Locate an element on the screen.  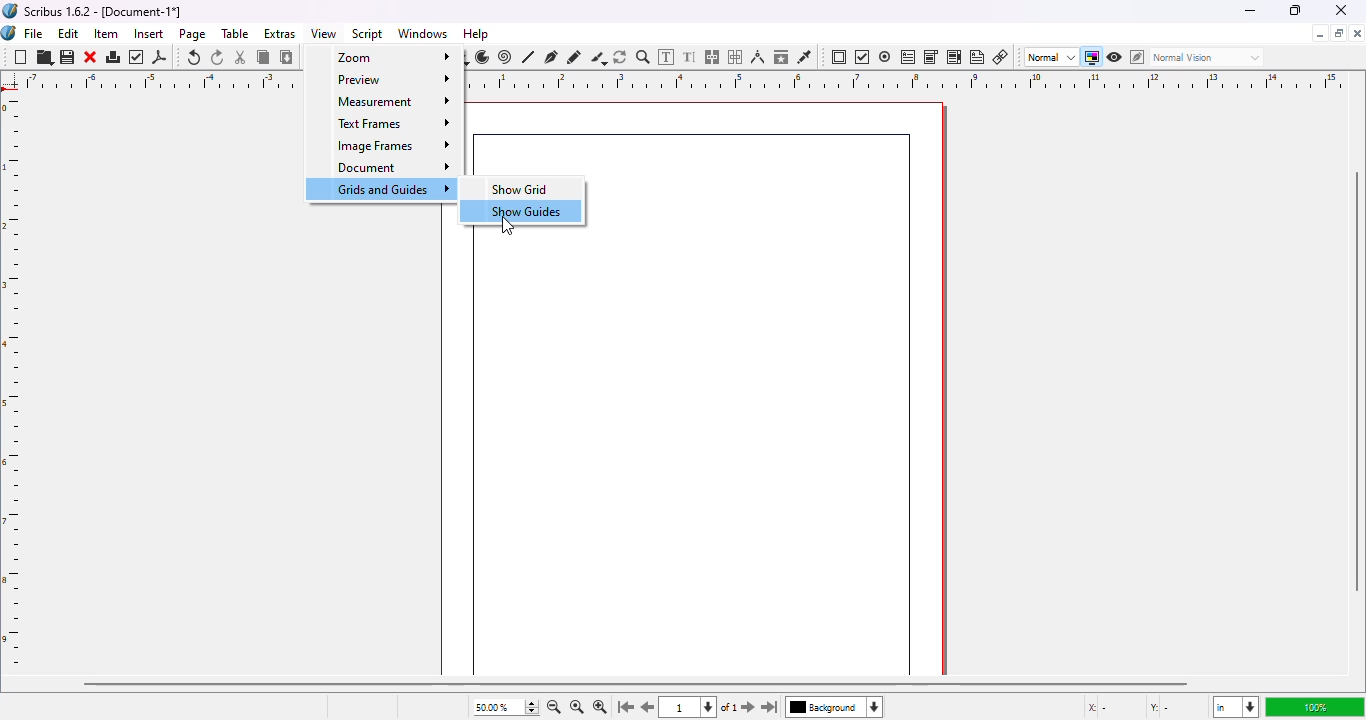
zoom in by the stepping value in tools preferences is located at coordinates (599, 708).